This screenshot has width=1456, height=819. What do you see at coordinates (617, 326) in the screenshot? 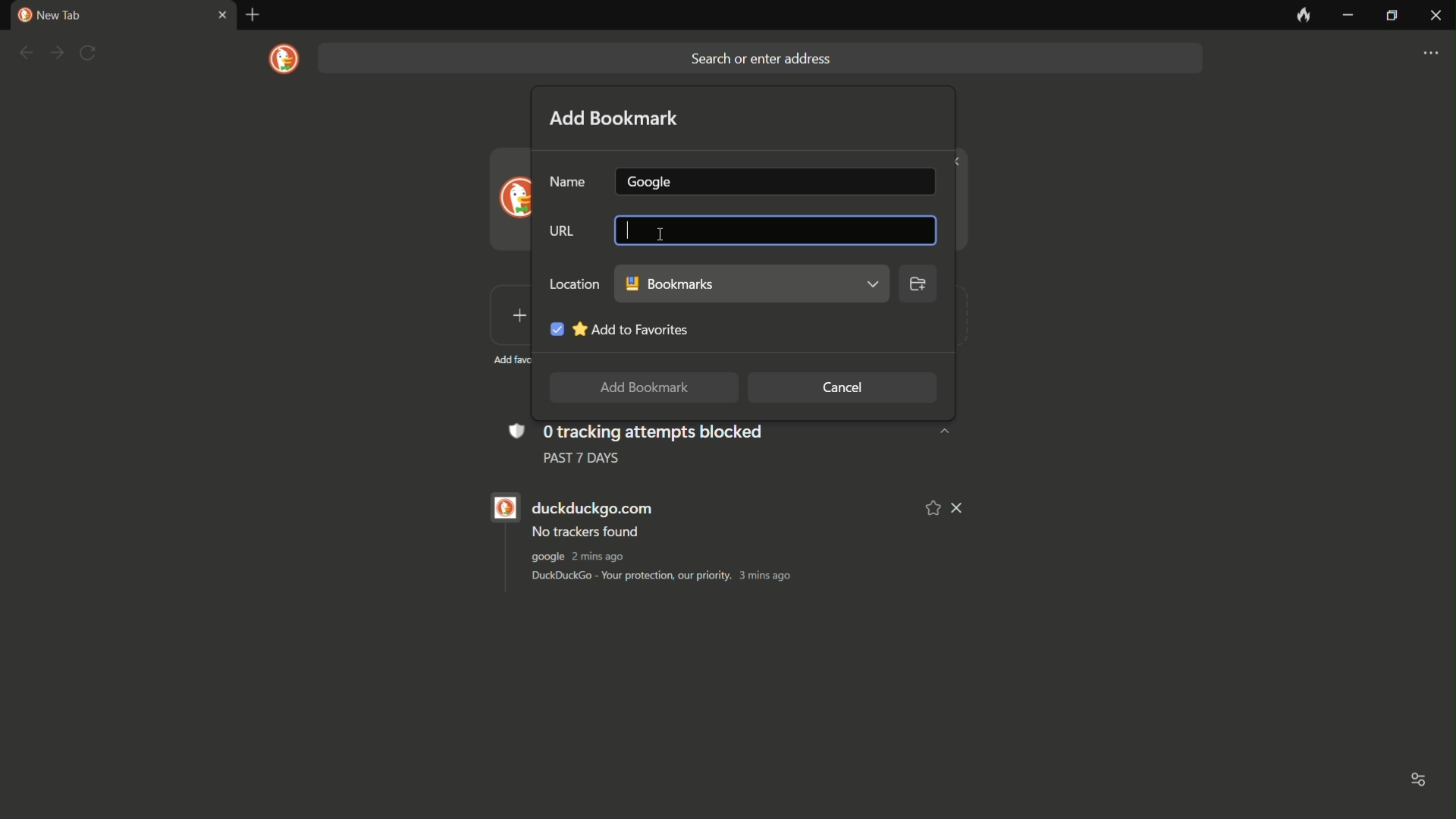
I see `add to favorite` at bounding box center [617, 326].